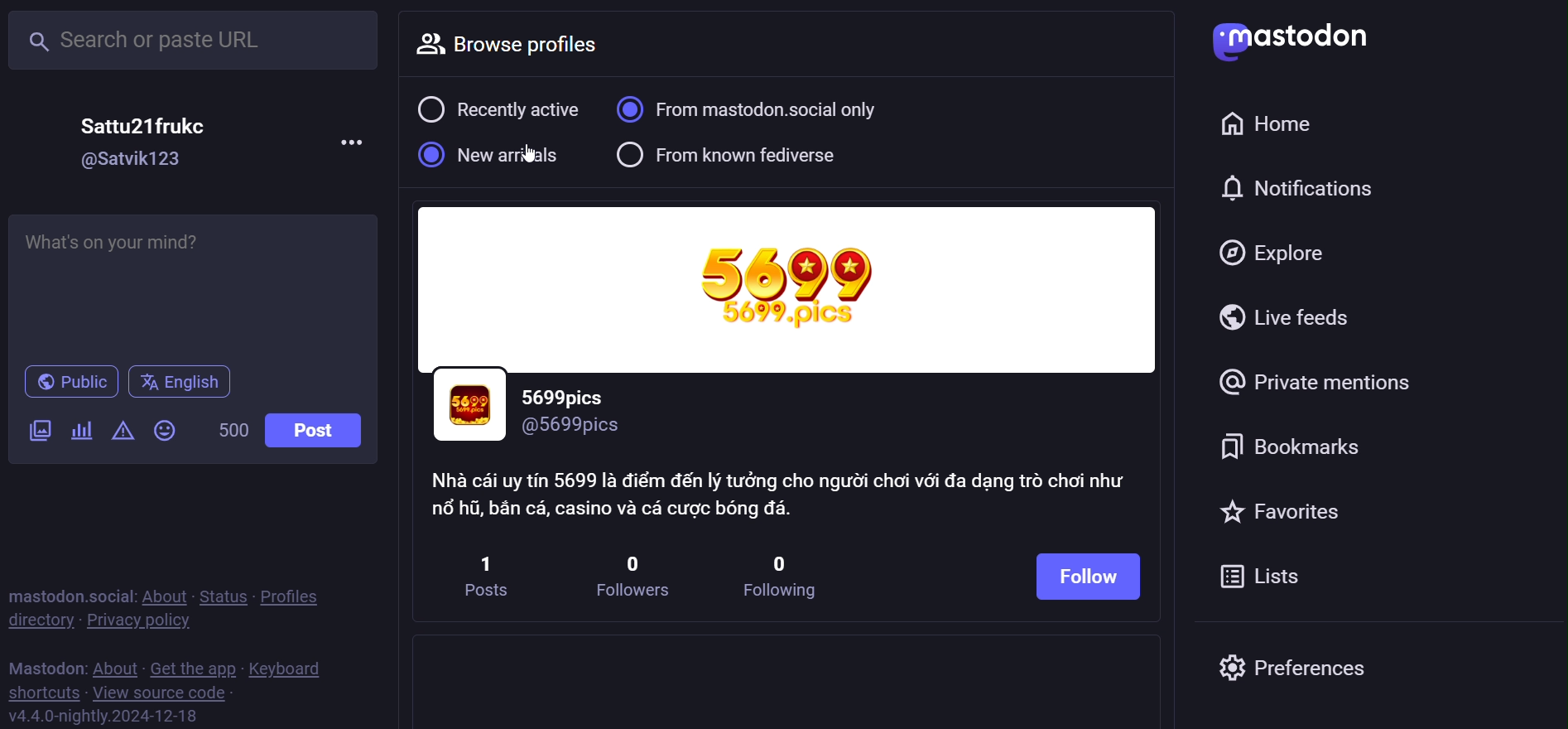 Image resolution: width=1568 pixels, height=729 pixels. I want to click on 500, so click(232, 431).